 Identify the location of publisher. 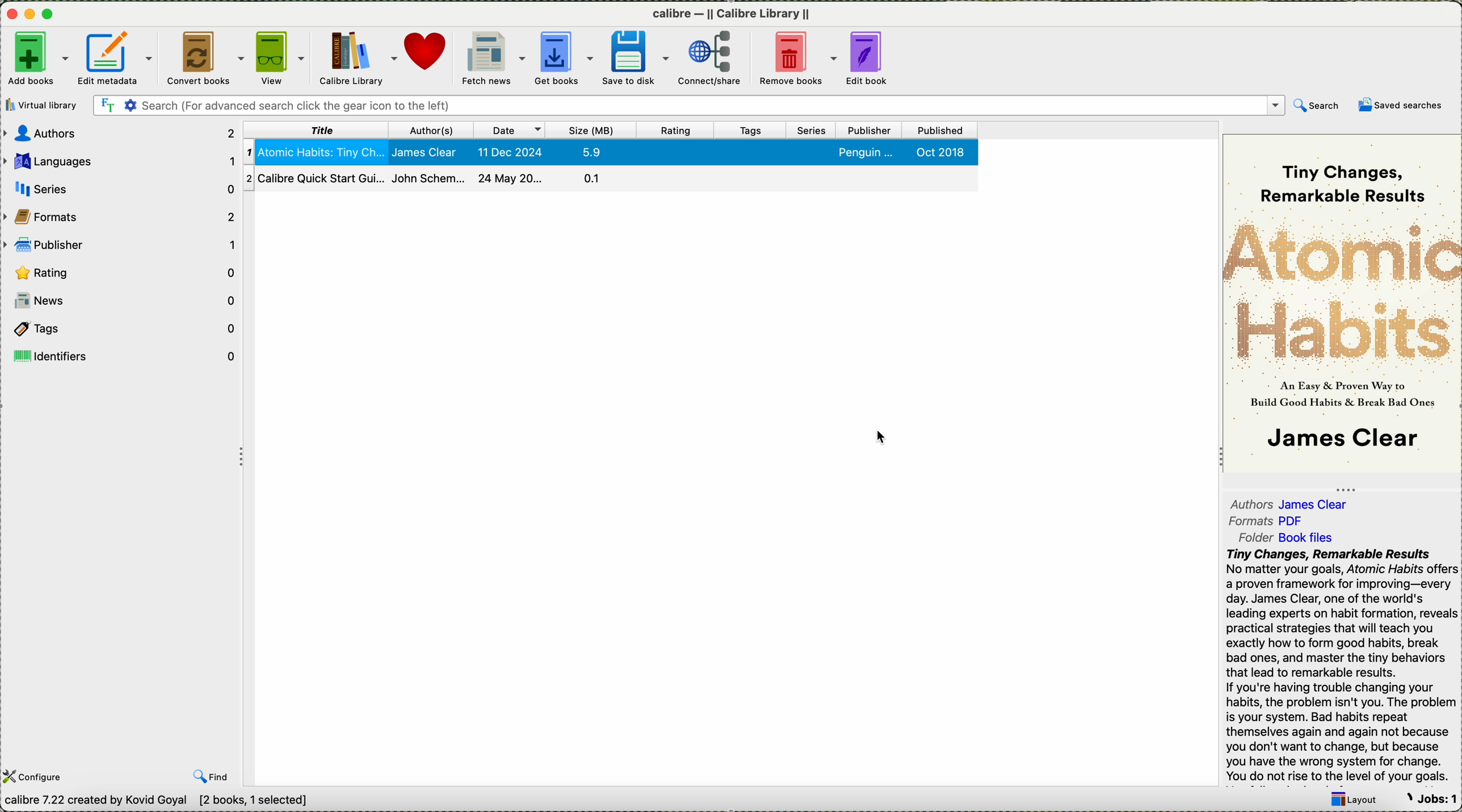
(121, 243).